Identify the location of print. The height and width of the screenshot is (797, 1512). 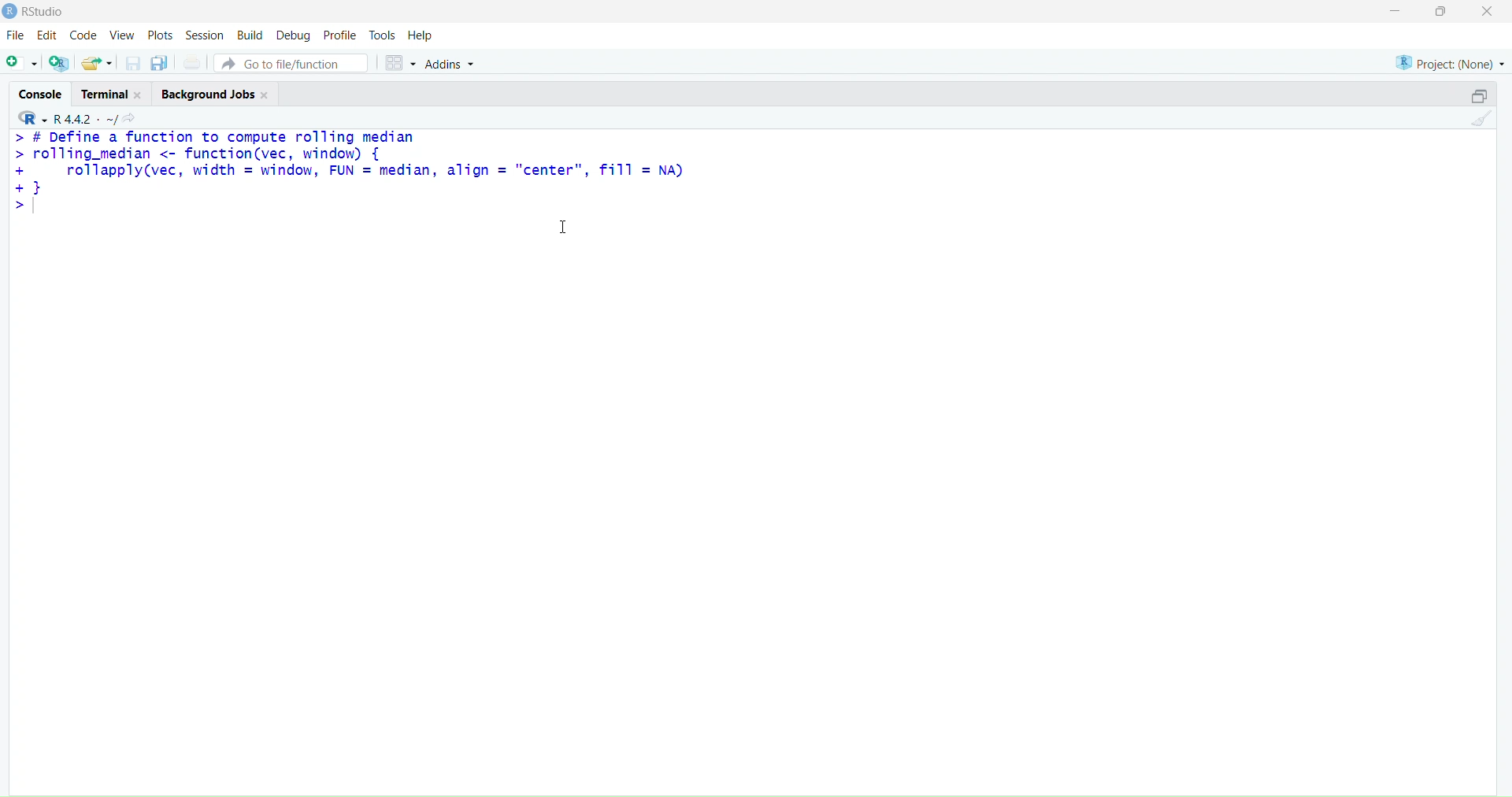
(192, 62).